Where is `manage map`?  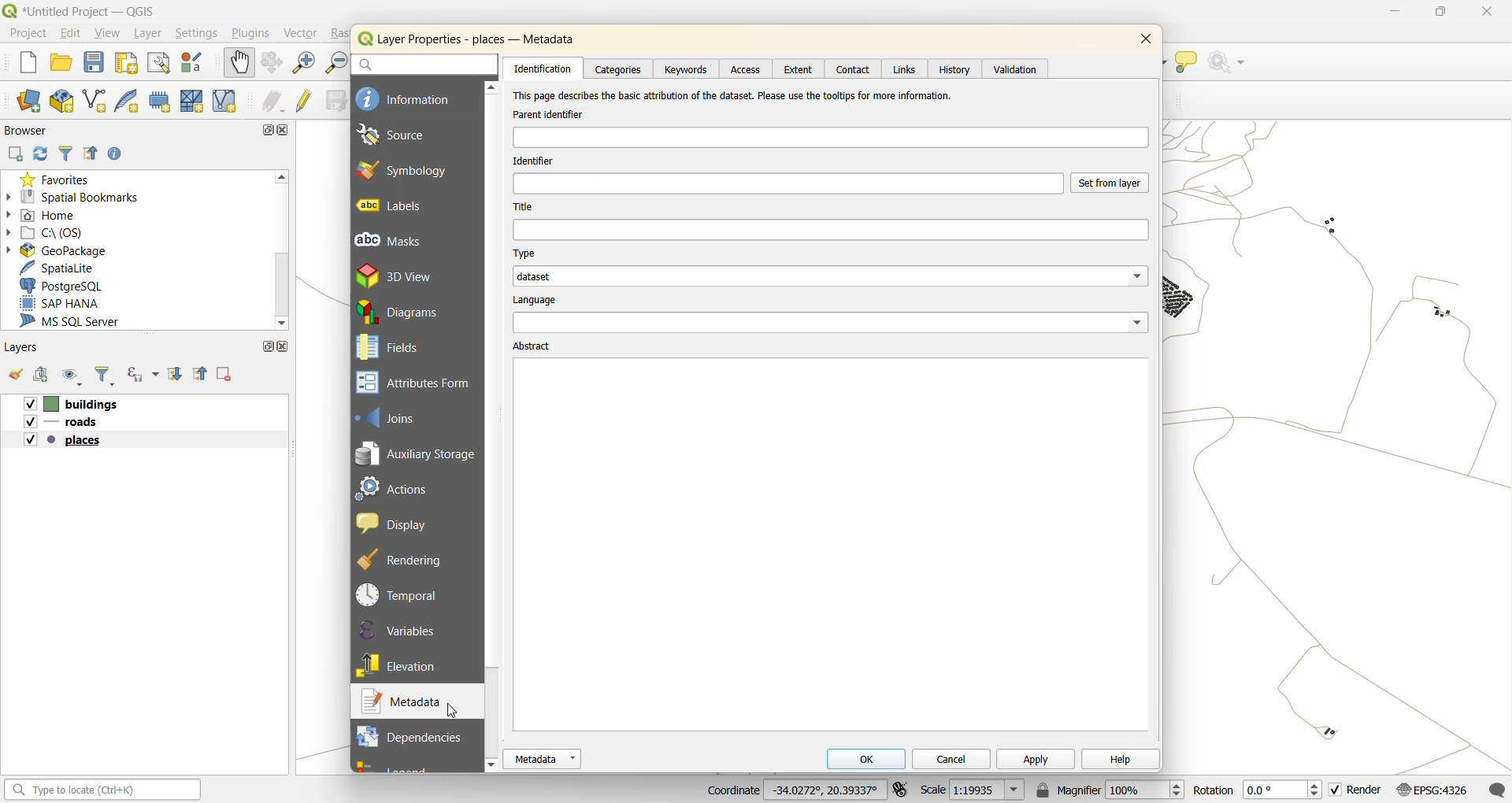 manage map is located at coordinates (76, 376).